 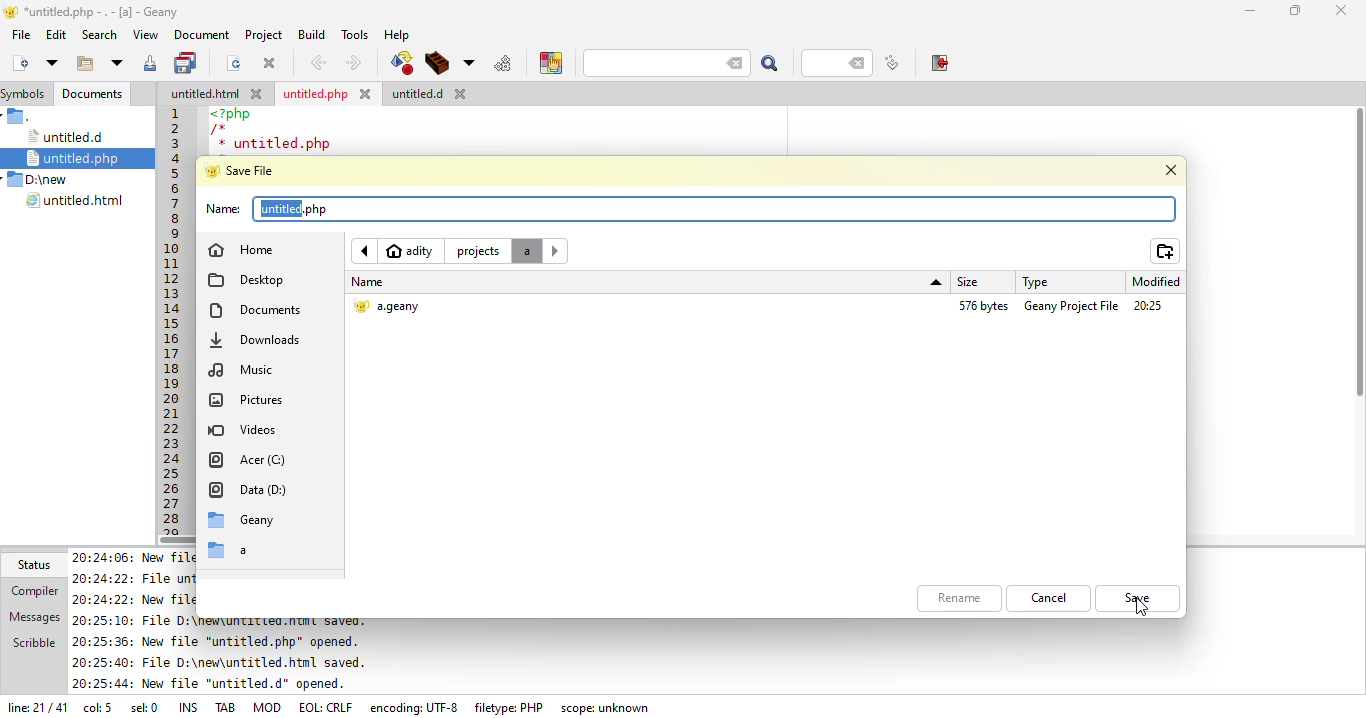 I want to click on geany, so click(x=1071, y=305).